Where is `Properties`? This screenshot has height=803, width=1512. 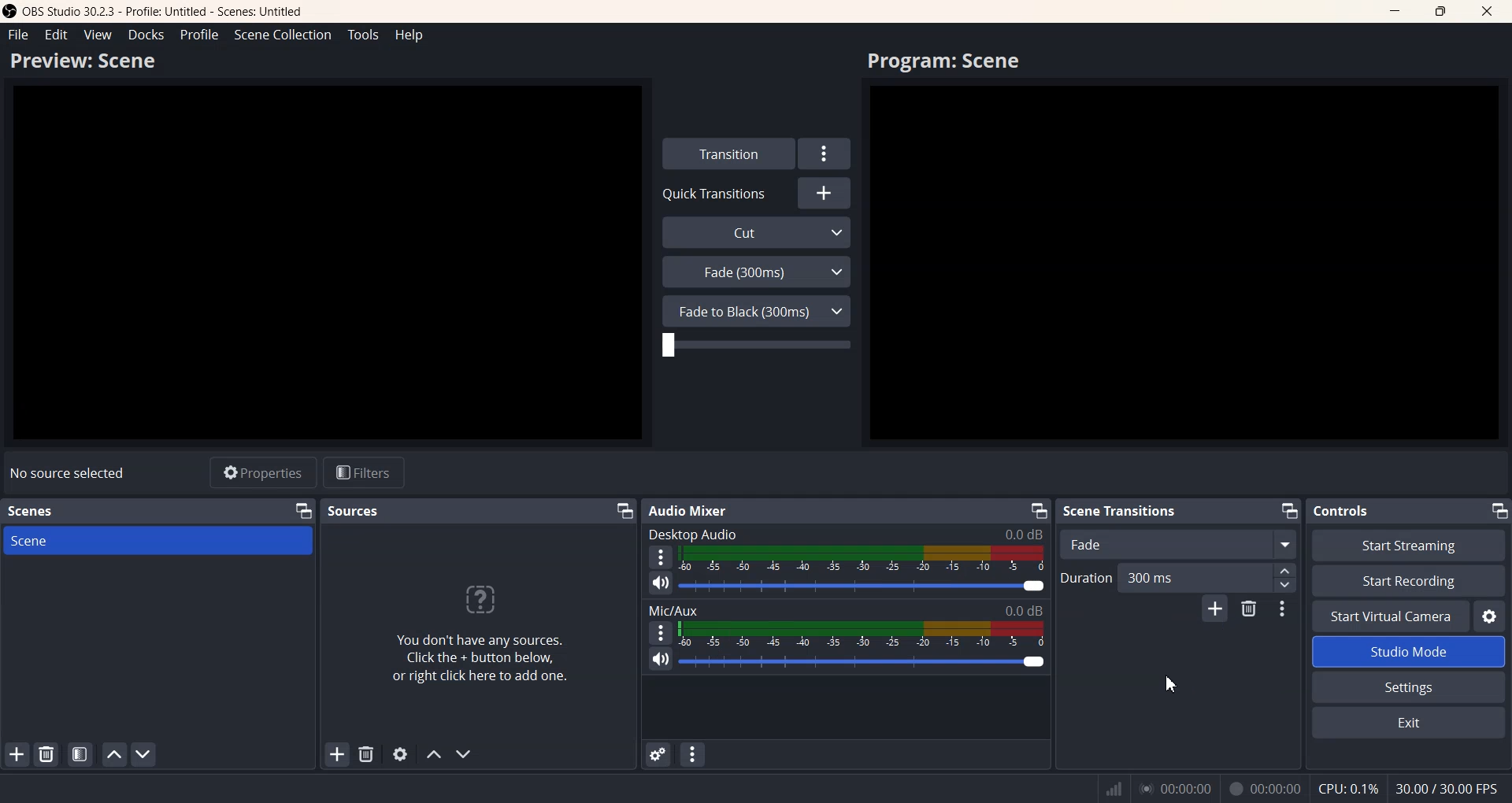 Properties is located at coordinates (261, 473).